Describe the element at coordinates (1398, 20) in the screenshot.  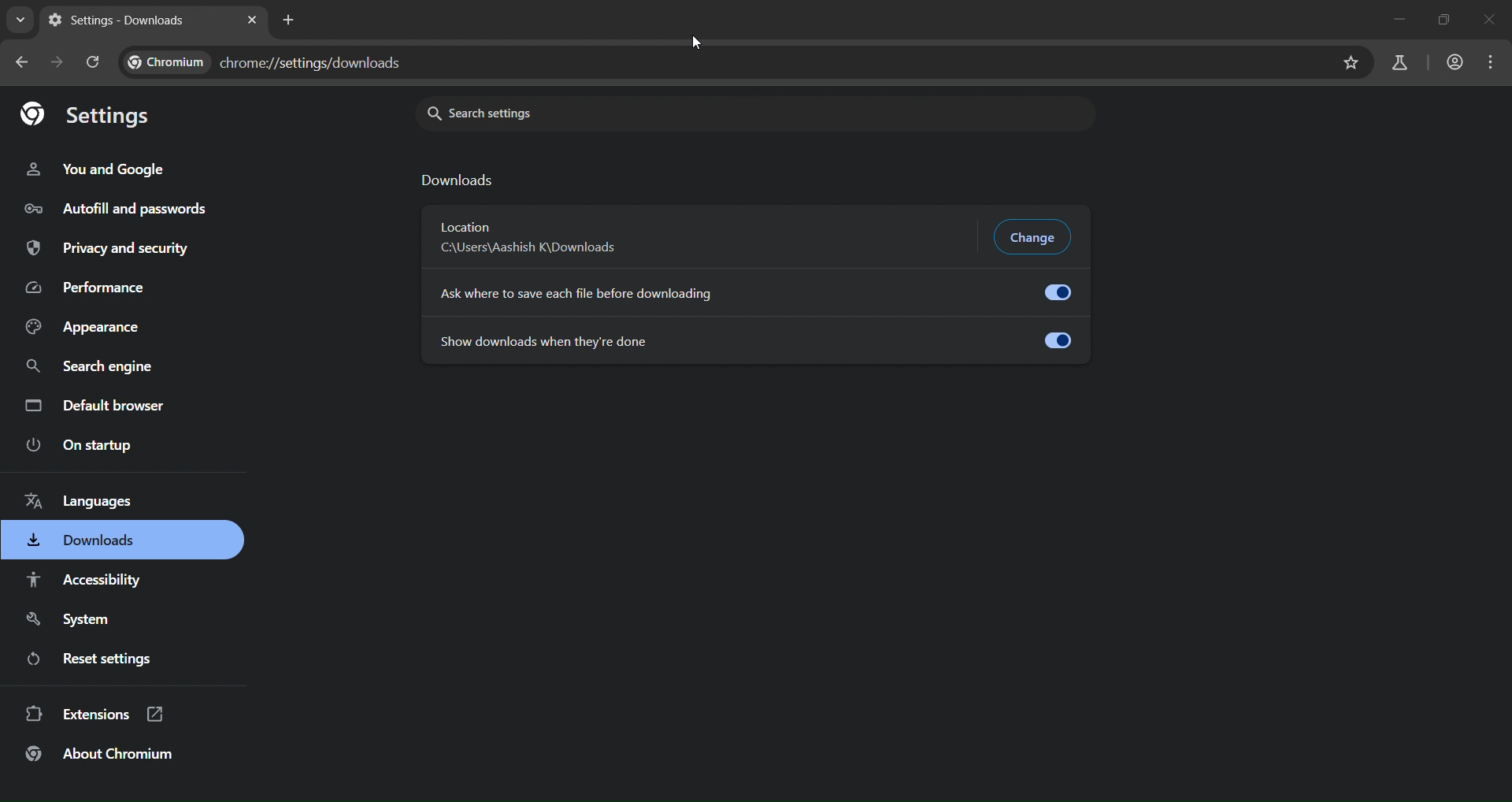
I see `minimize` at that location.